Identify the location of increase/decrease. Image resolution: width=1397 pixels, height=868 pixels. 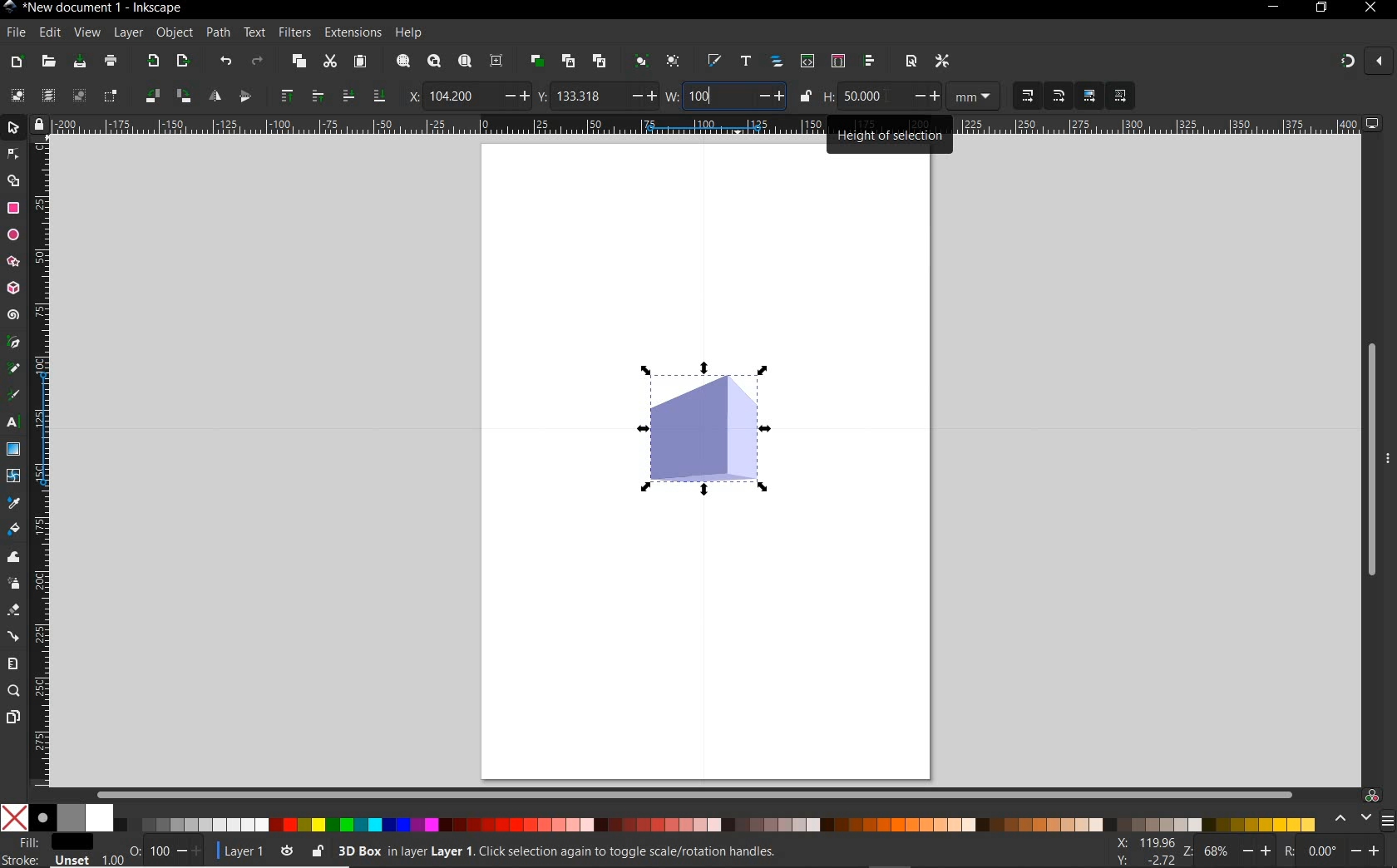
(515, 96).